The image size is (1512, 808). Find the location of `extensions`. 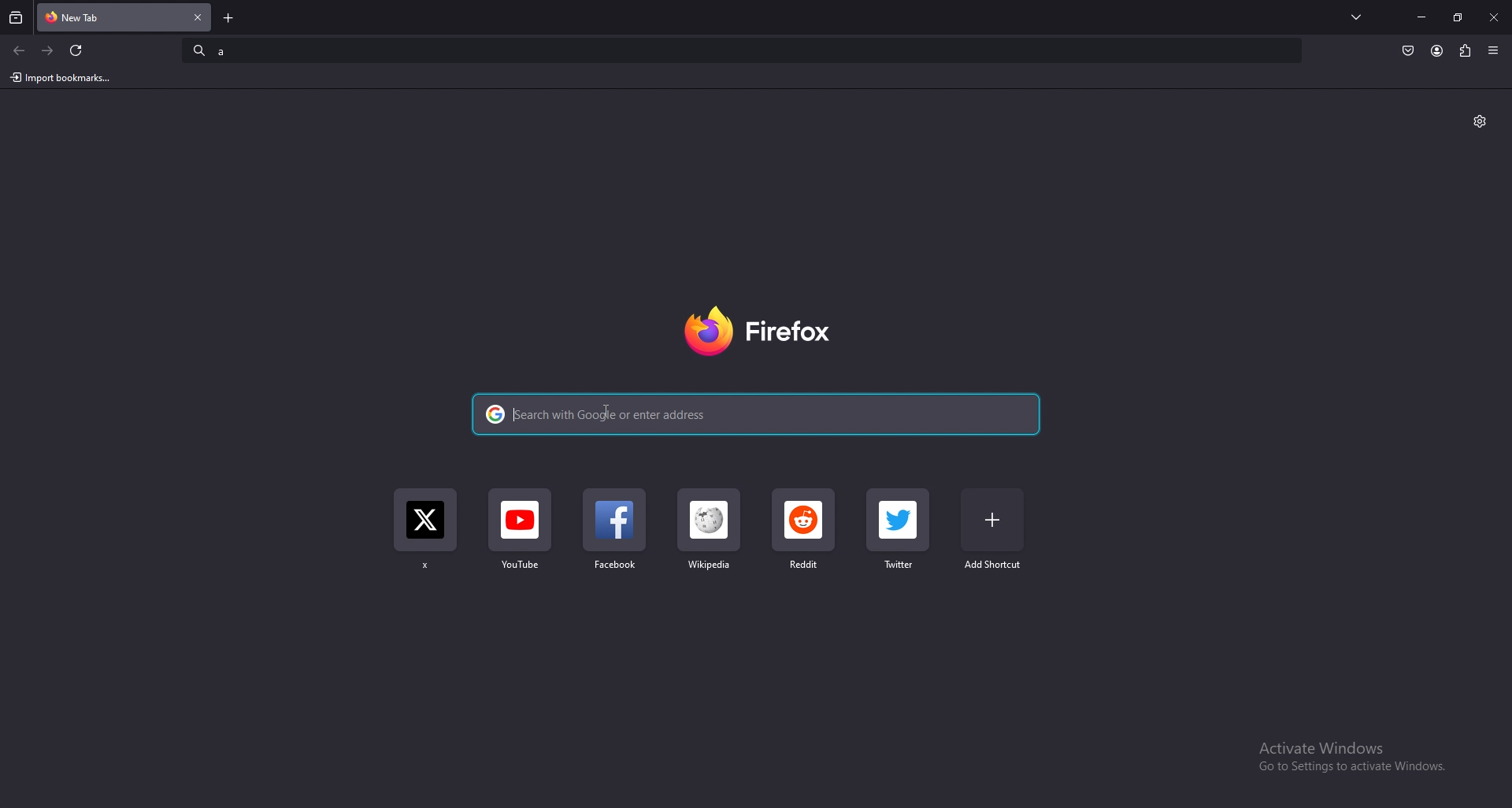

extensions is located at coordinates (1466, 49).